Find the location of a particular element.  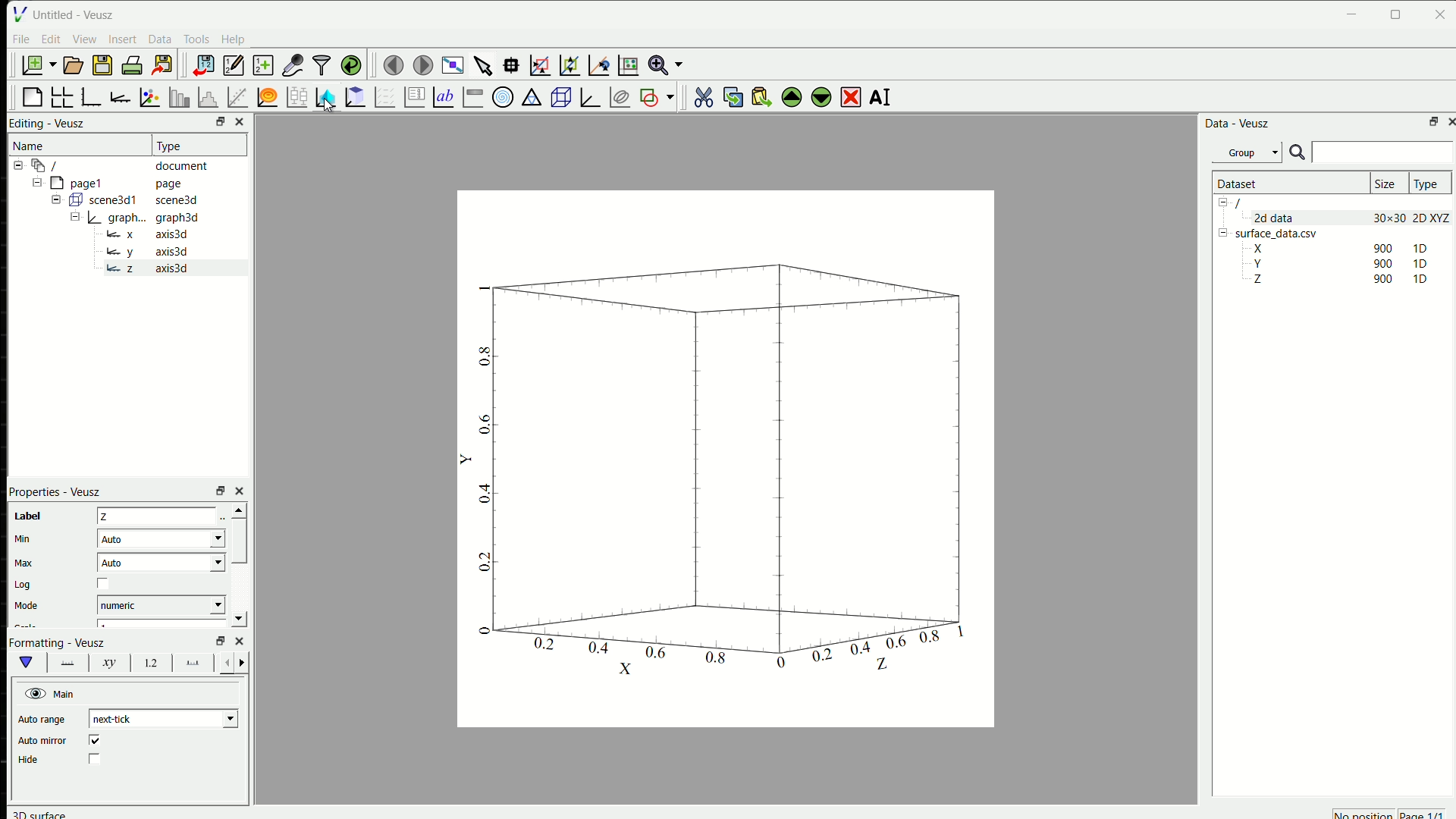

polar graph is located at coordinates (504, 96).